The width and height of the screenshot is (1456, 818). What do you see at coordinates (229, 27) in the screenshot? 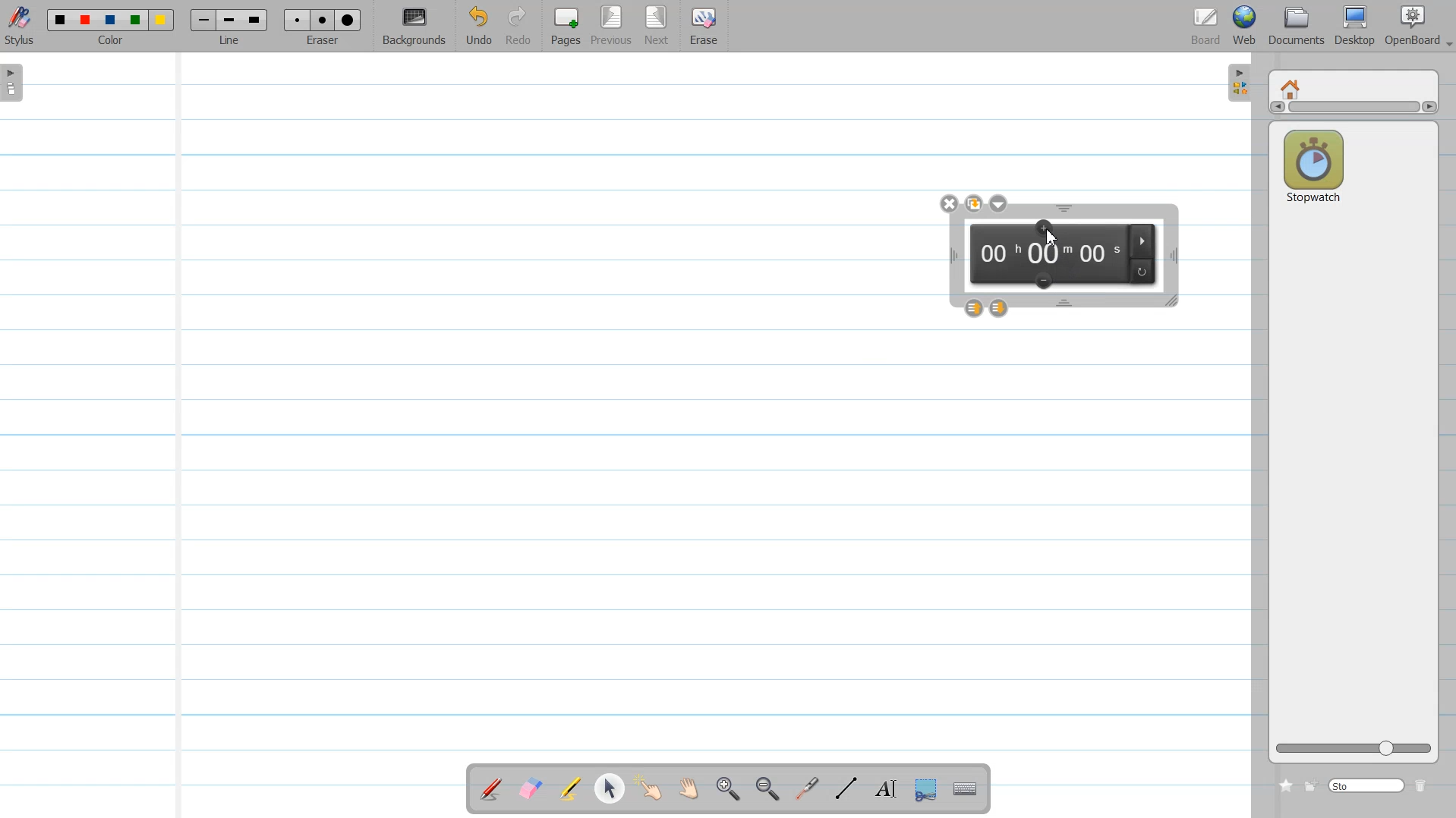
I see `Line` at bounding box center [229, 27].